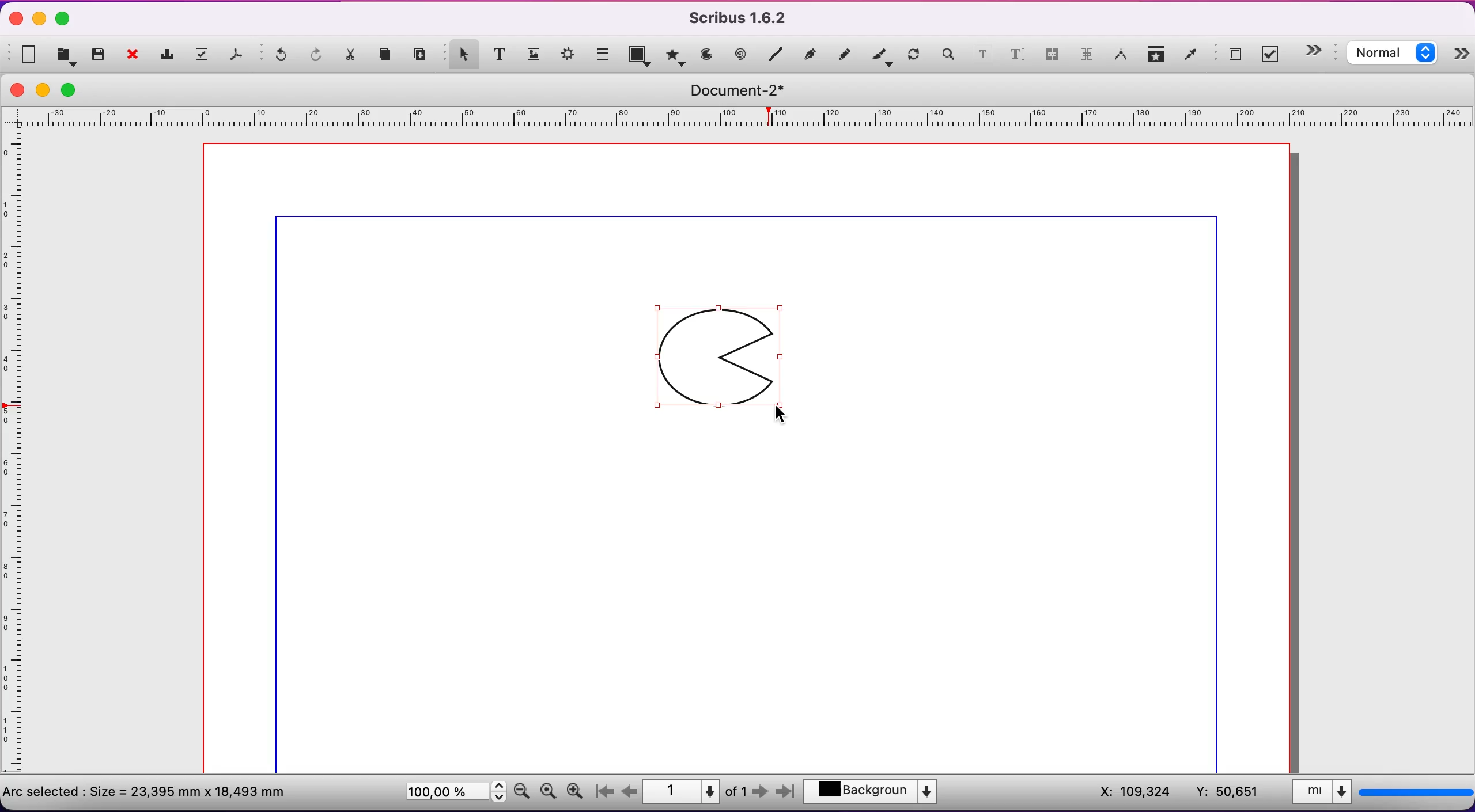 The width and height of the screenshot is (1475, 812). I want to click on zoom out, so click(522, 790).